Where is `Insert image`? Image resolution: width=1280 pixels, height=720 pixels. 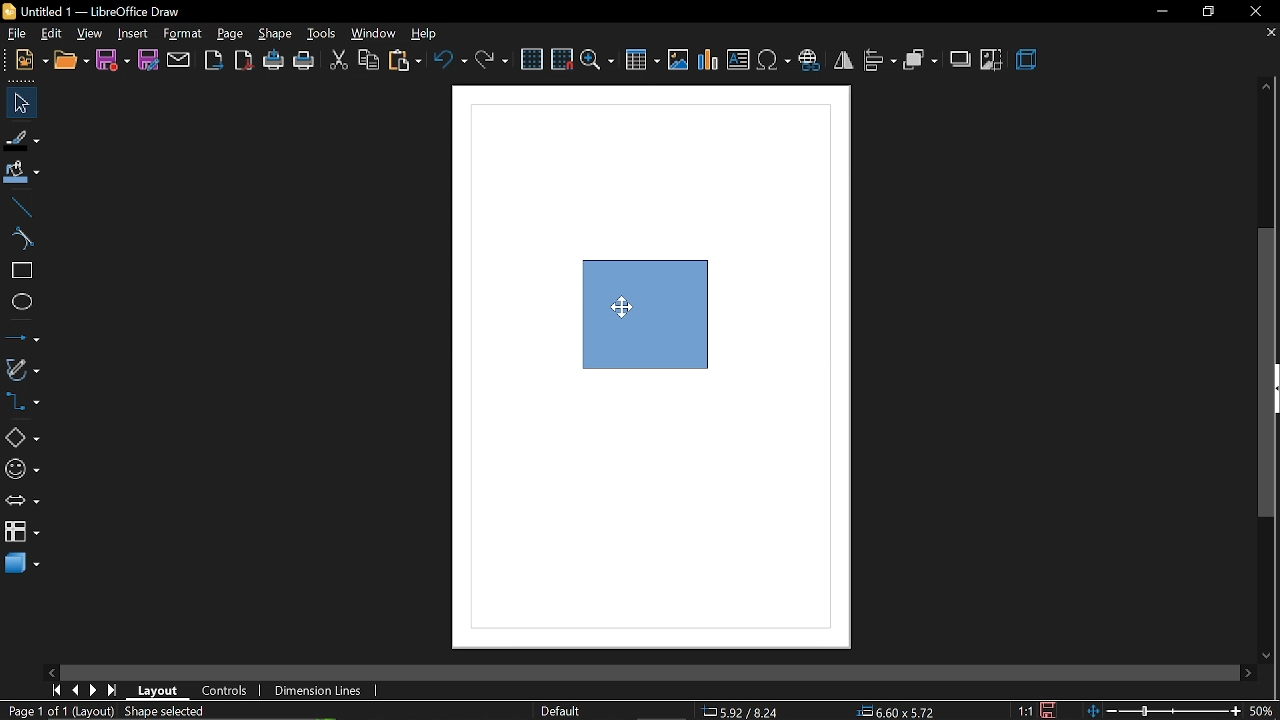 Insert image is located at coordinates (678, 60).